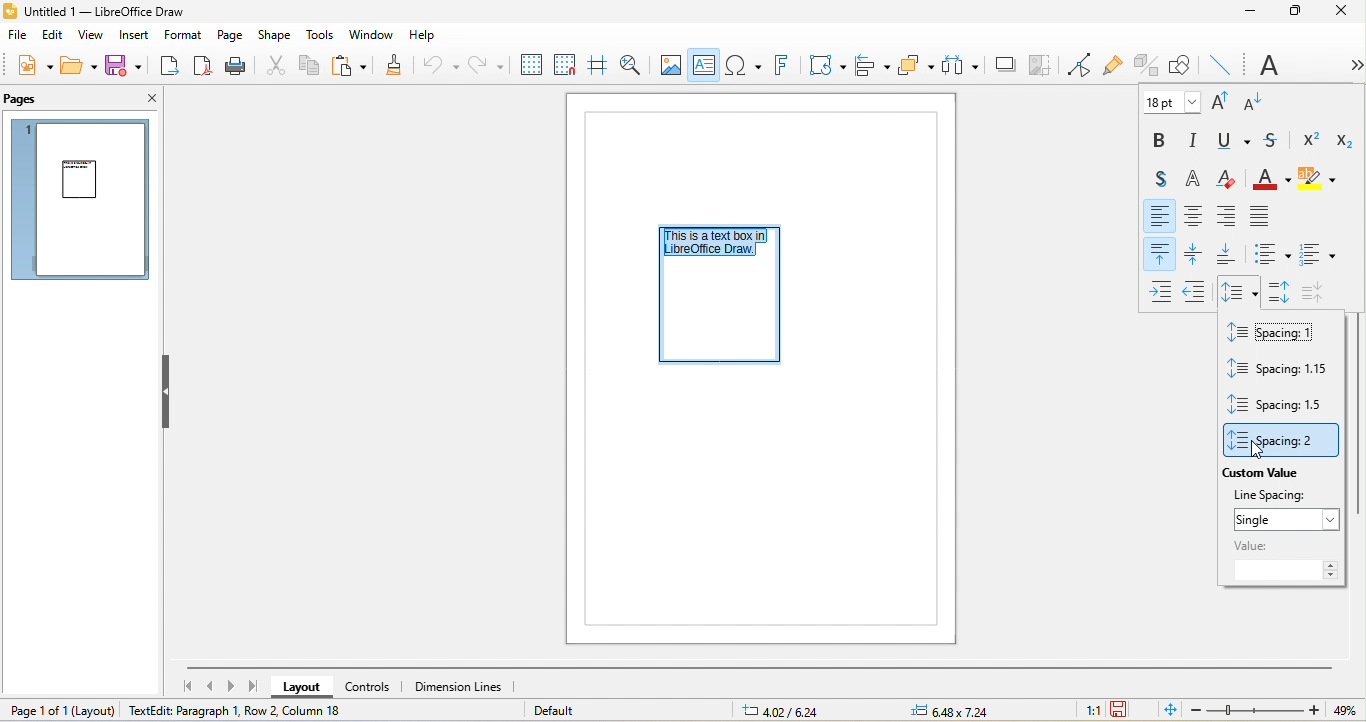 This screenshot has width=1366, height=722. What do you see at coordinates (672, 63) in the screenshot?
I see `image` at bounding box center [672, 63].